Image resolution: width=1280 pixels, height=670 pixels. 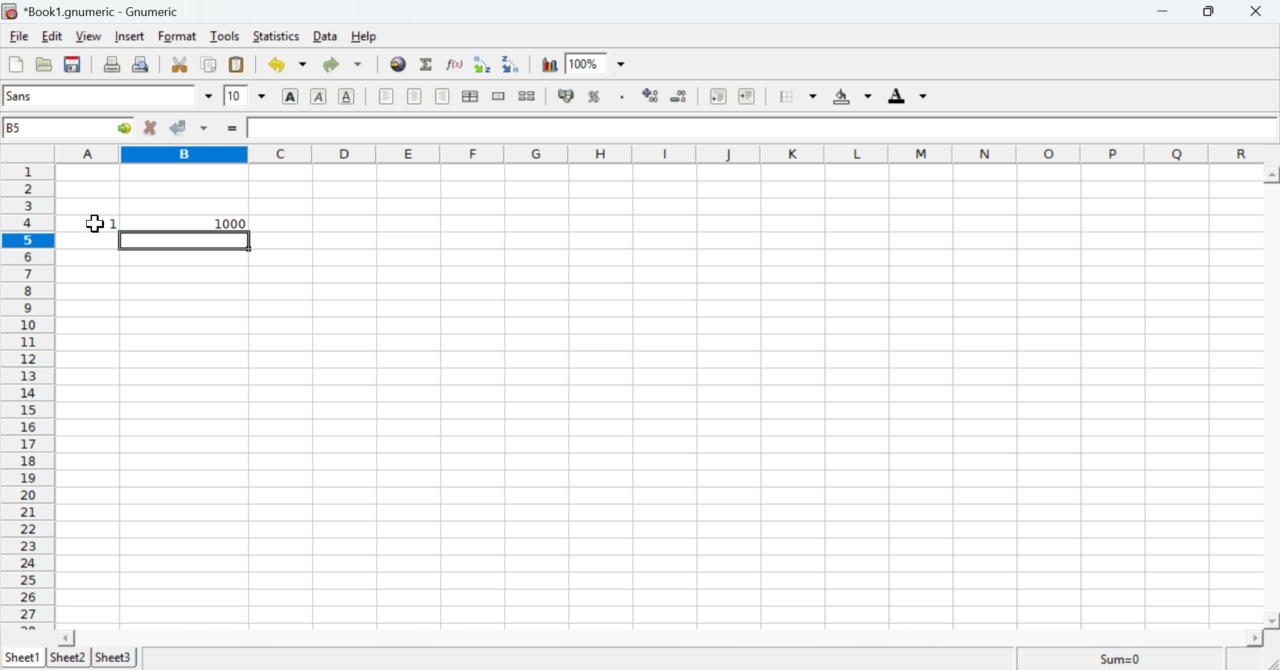 I want to click on Open a file, so click(x=46, y=65).